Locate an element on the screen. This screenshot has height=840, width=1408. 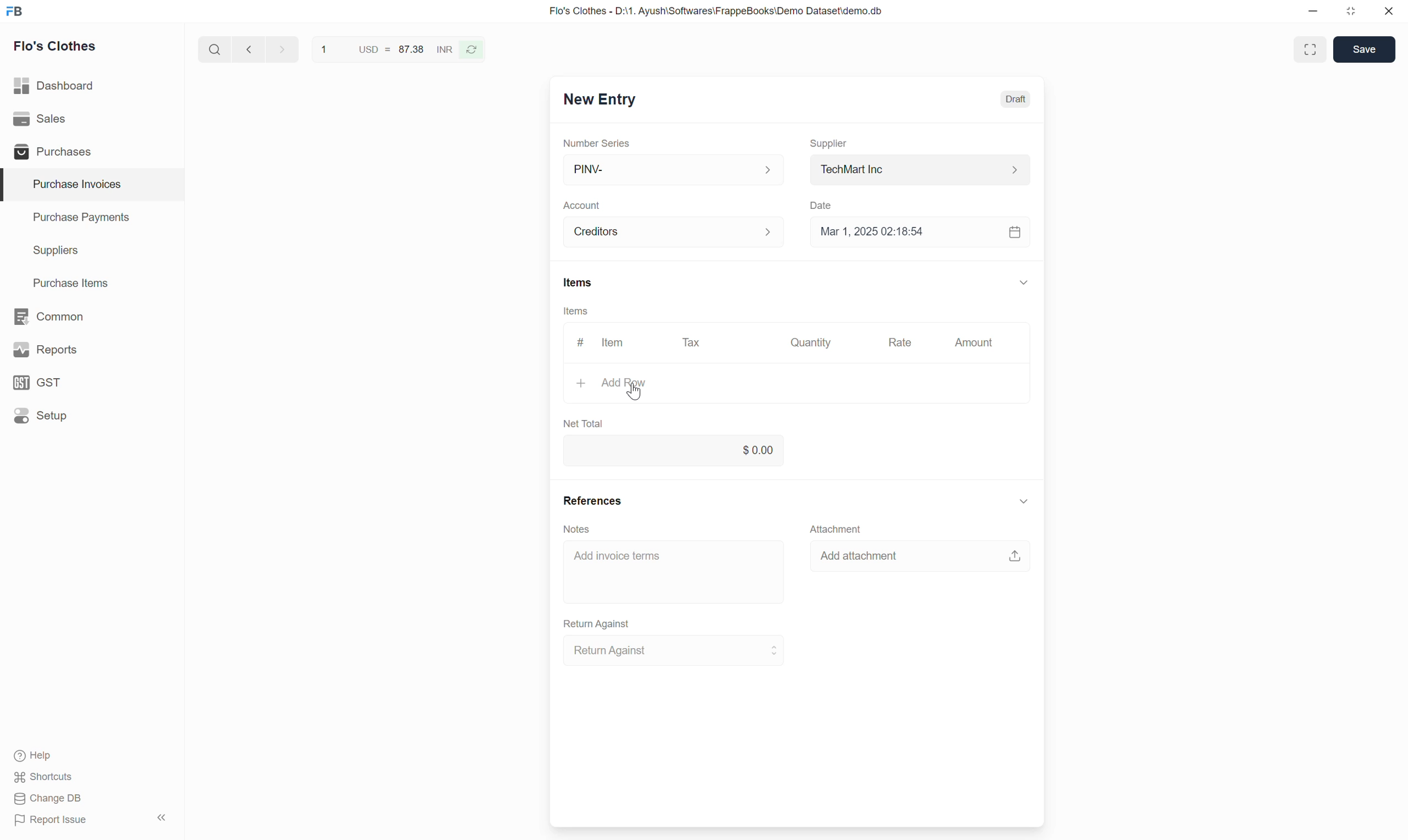
Flo's Clothes is located at coordinates (55, 46).